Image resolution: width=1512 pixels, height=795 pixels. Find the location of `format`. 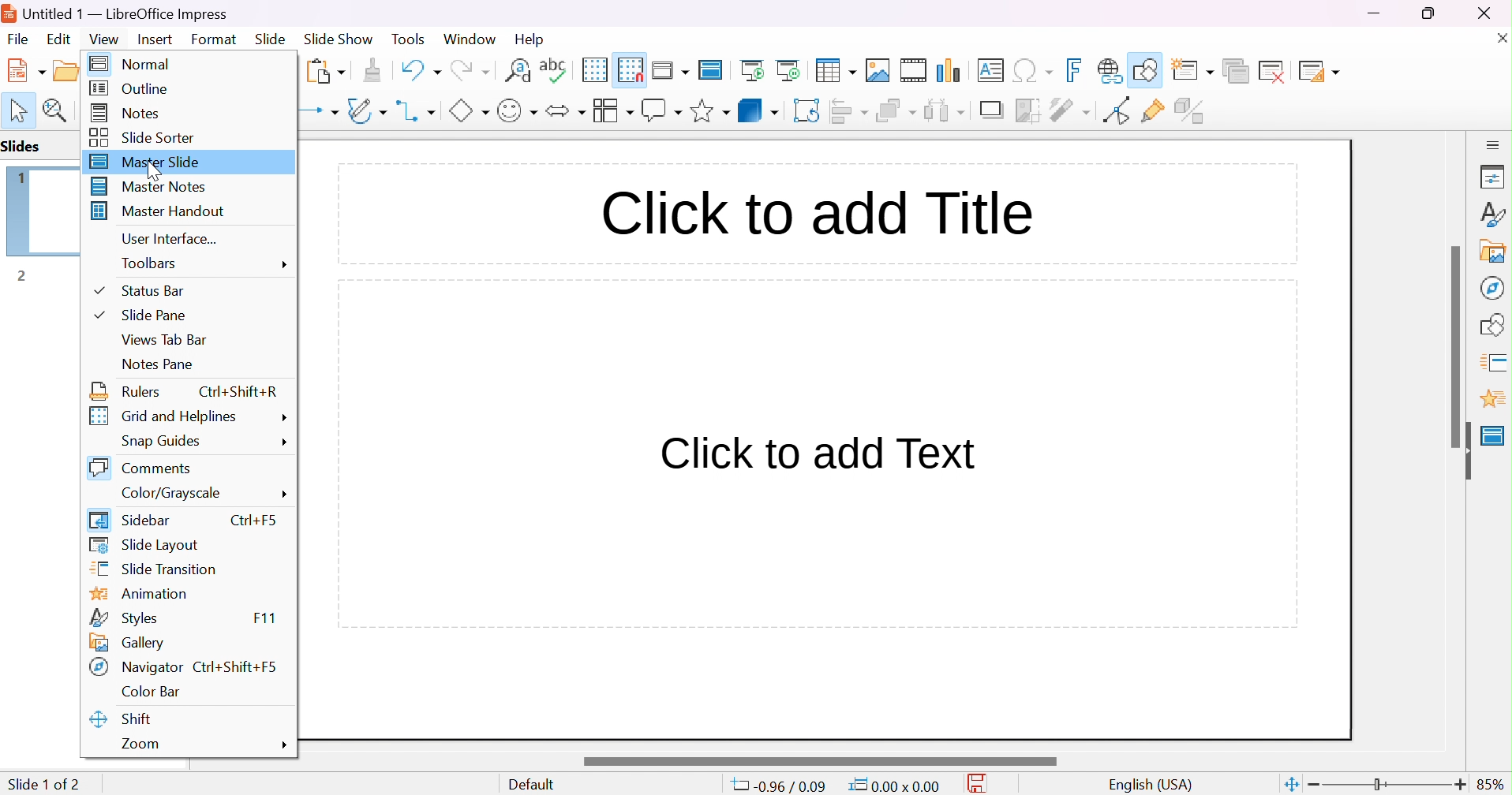

format is located at coordinates (215, 39).